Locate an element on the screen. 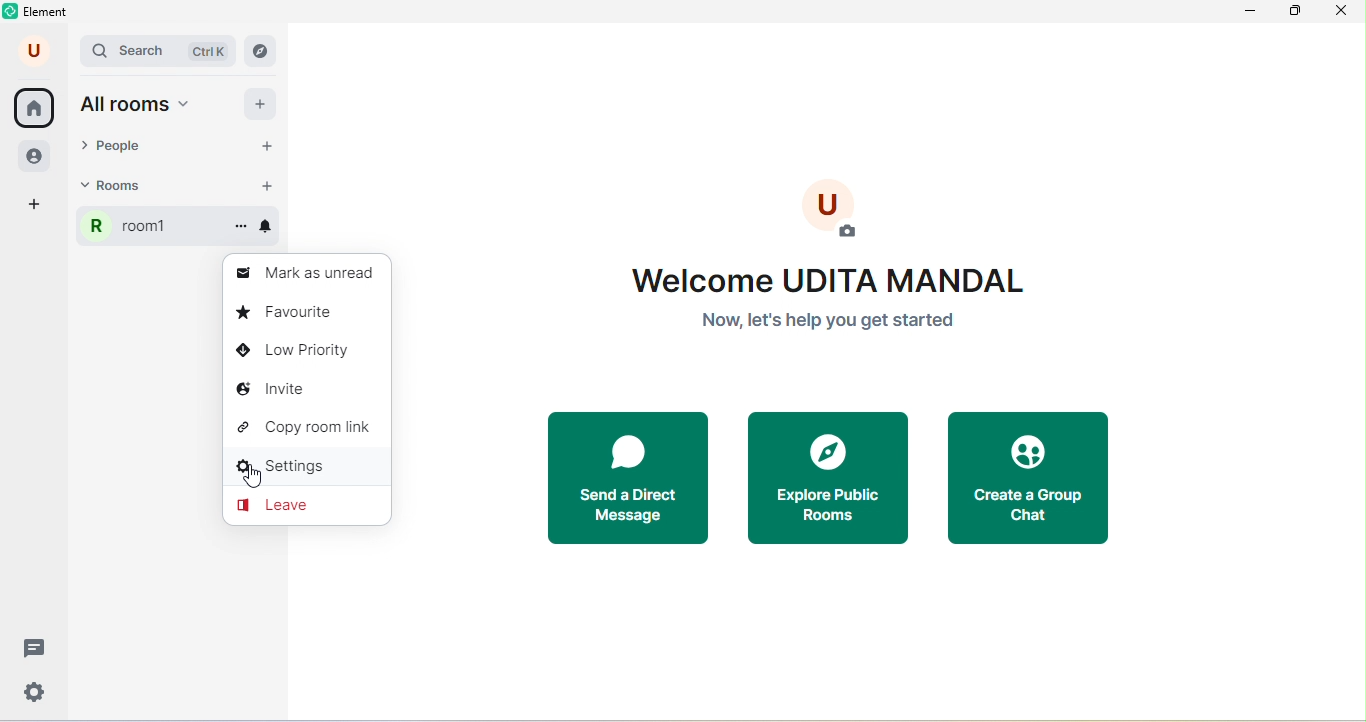 The height and width of the screenshot is (722, 1366). notifications is located at coordinates (275, 223).